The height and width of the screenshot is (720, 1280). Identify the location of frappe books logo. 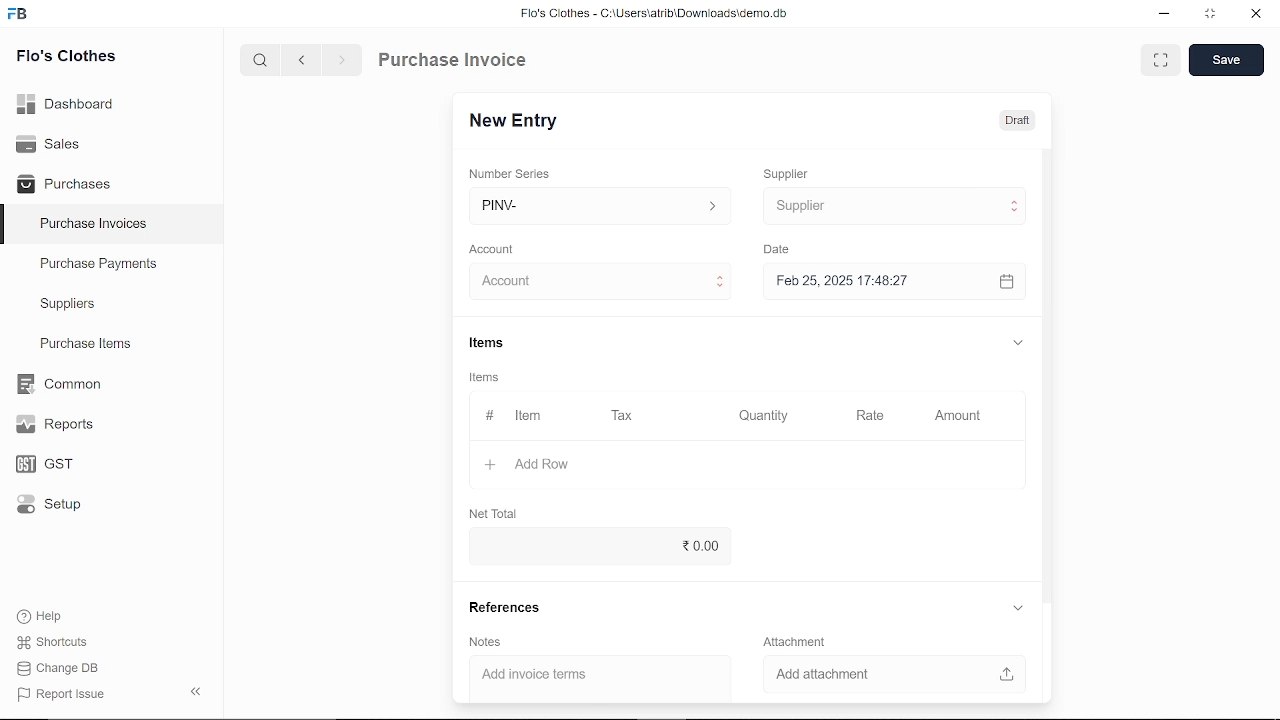
(22, 15).